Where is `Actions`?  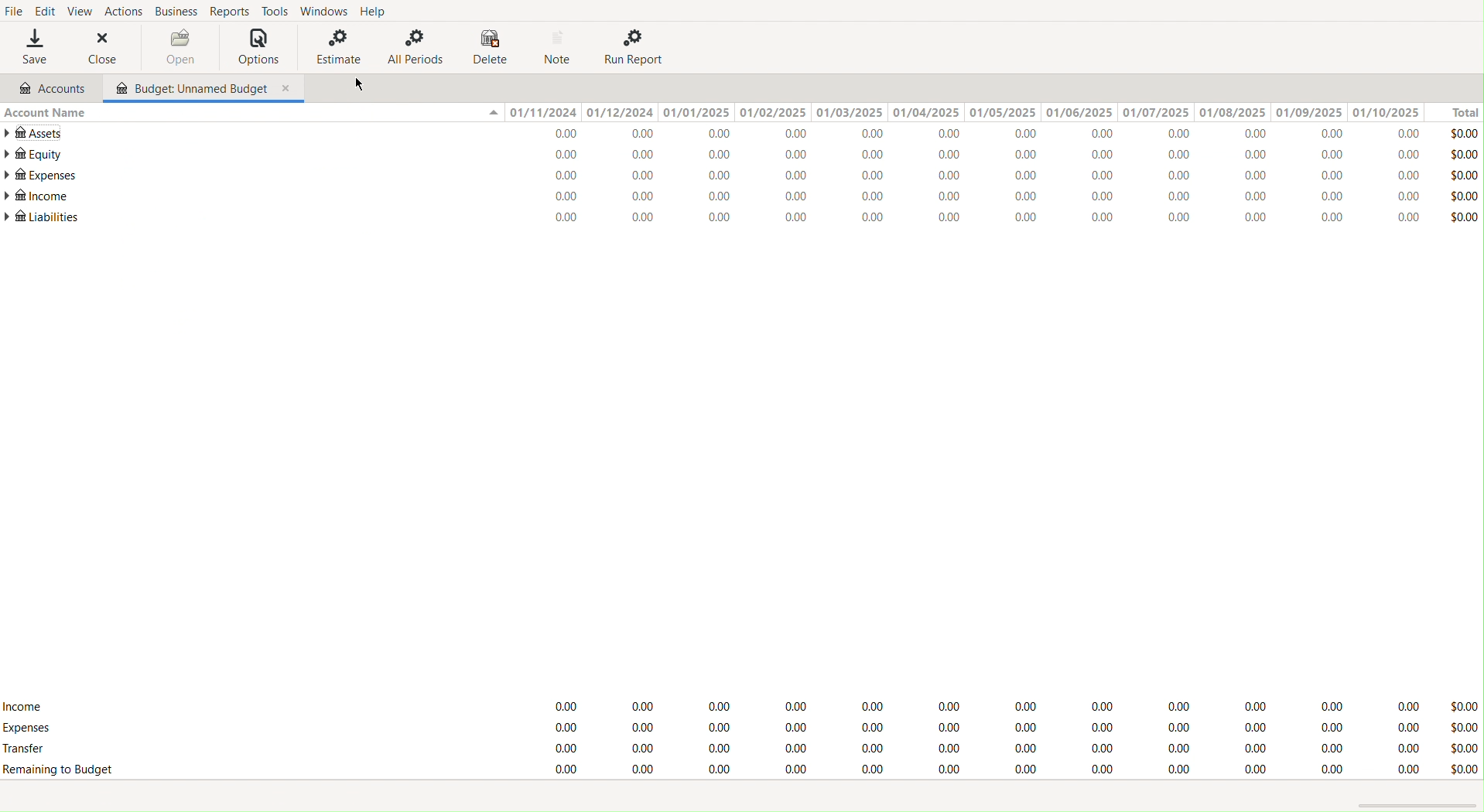
Actions is located at coordinates (122, 12).